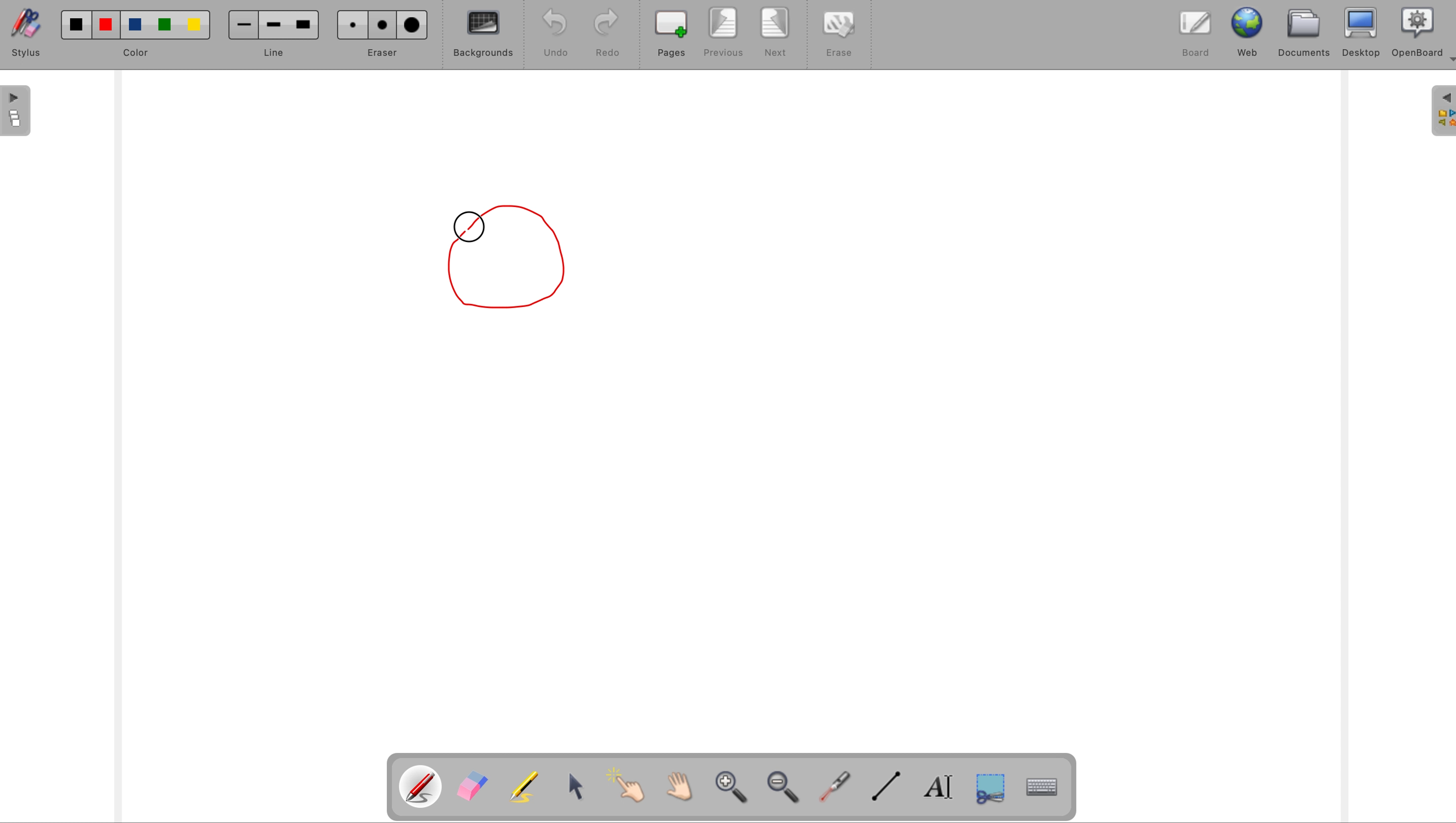 The image size is (1456, 823). What do you see at coordinates (1441, 111) in the screenshot?
I see `sidebar` at bounding box center [1441, 111].